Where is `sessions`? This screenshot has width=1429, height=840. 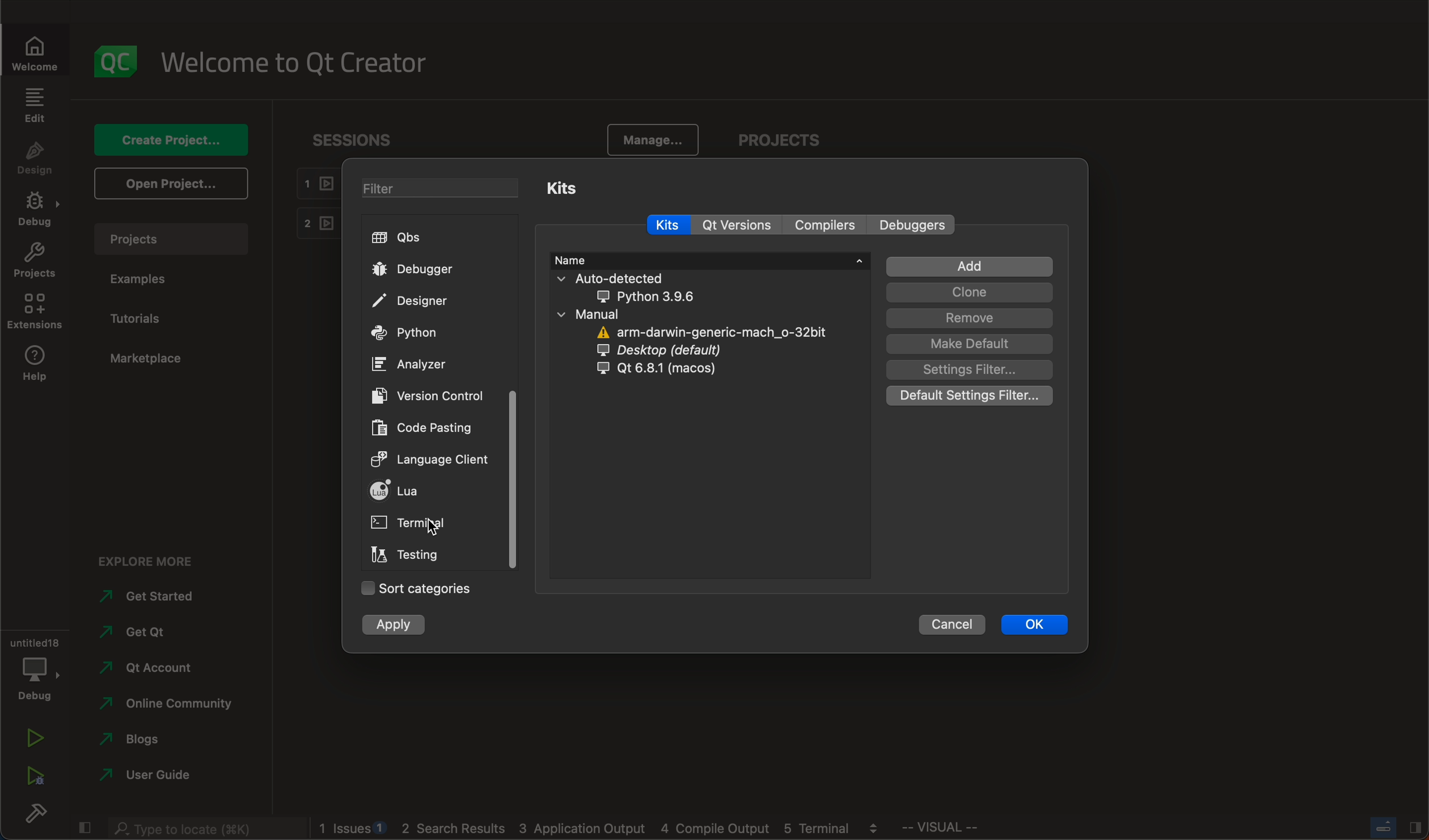
sessions is located at coordinates (346, 137).